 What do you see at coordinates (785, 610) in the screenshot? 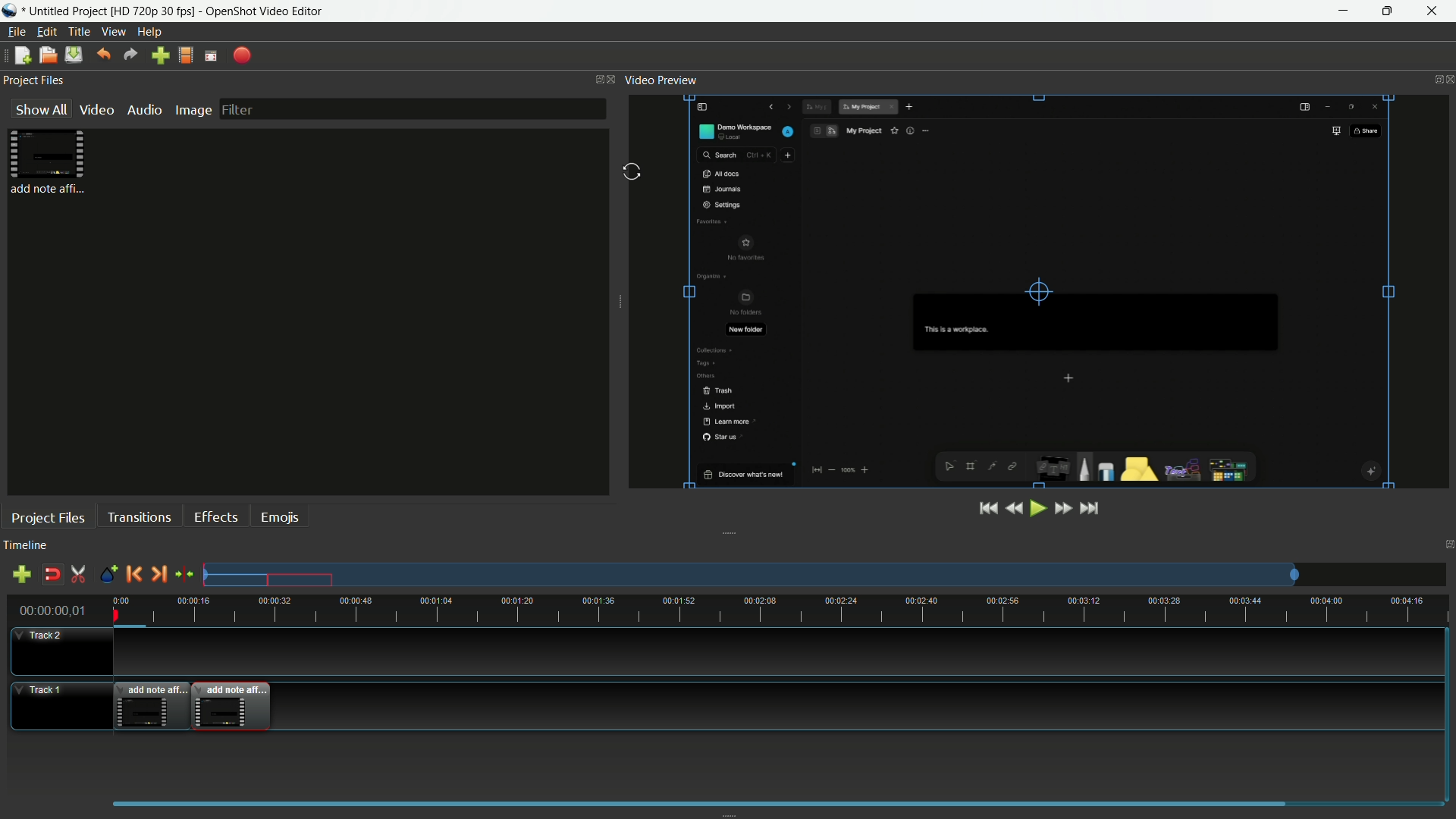
I see `time` at bounding box center [785, 610].